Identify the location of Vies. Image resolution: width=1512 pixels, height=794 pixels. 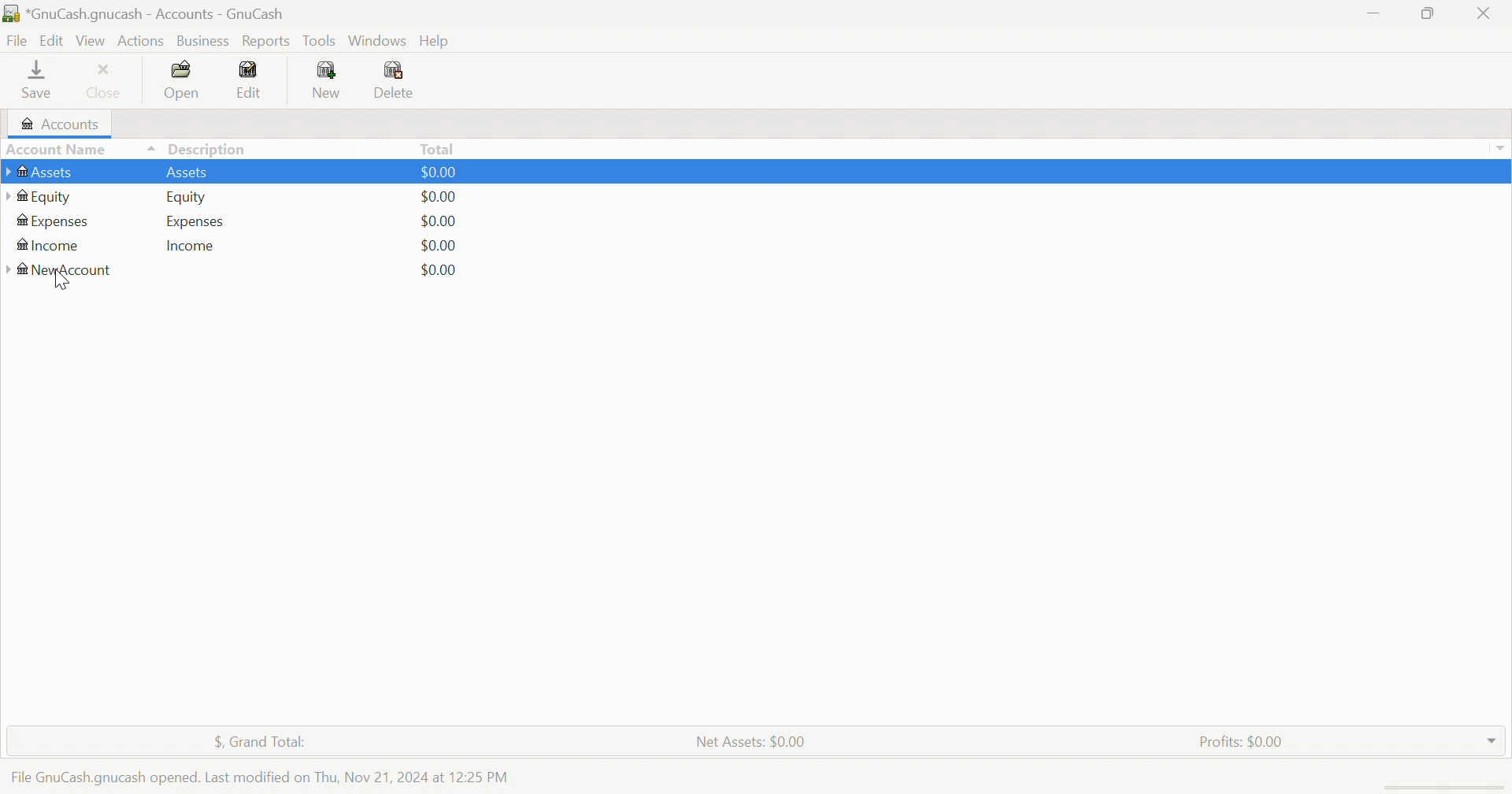
(91, 40).